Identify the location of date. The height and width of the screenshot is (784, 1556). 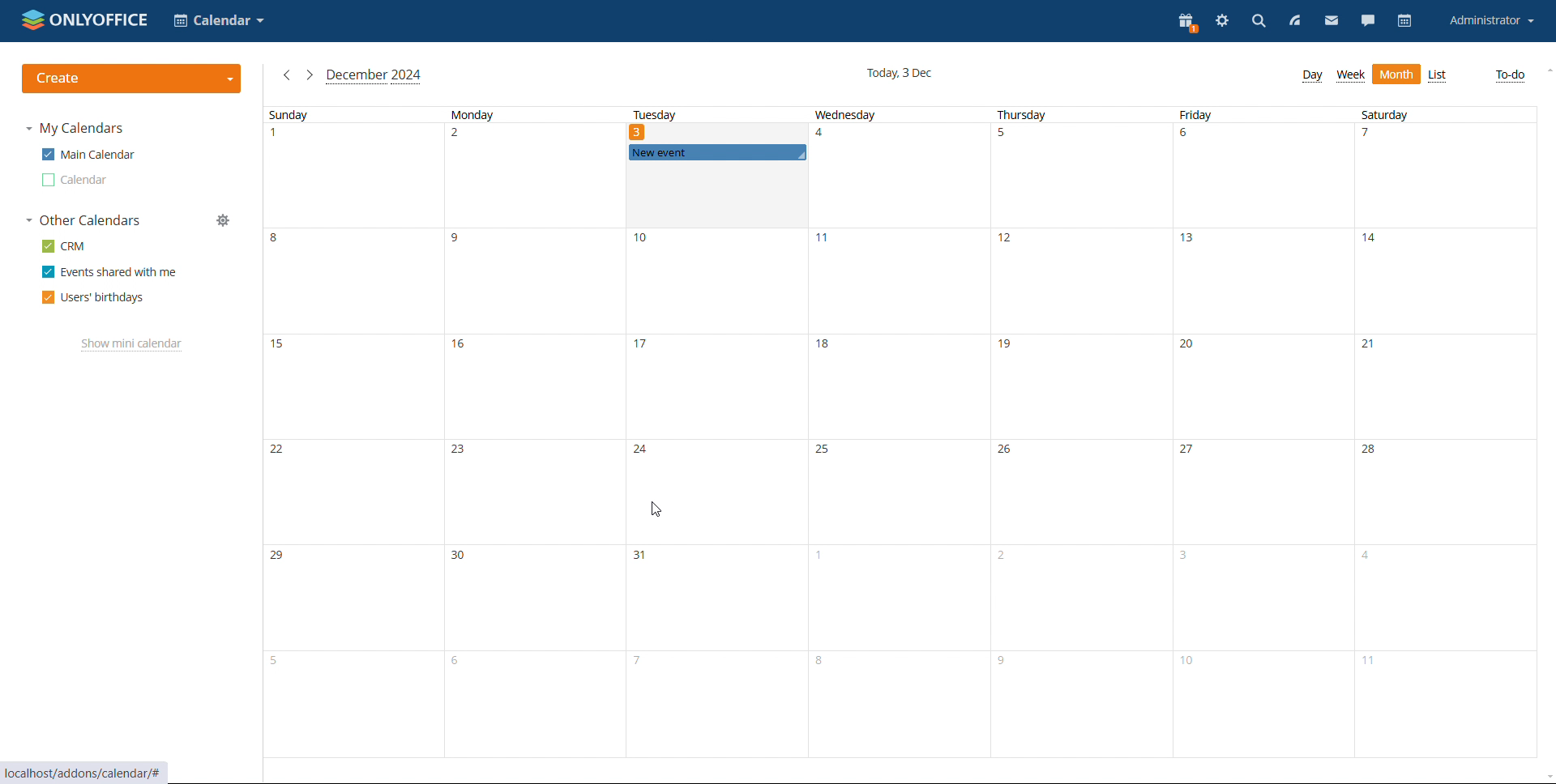
(351, 282).